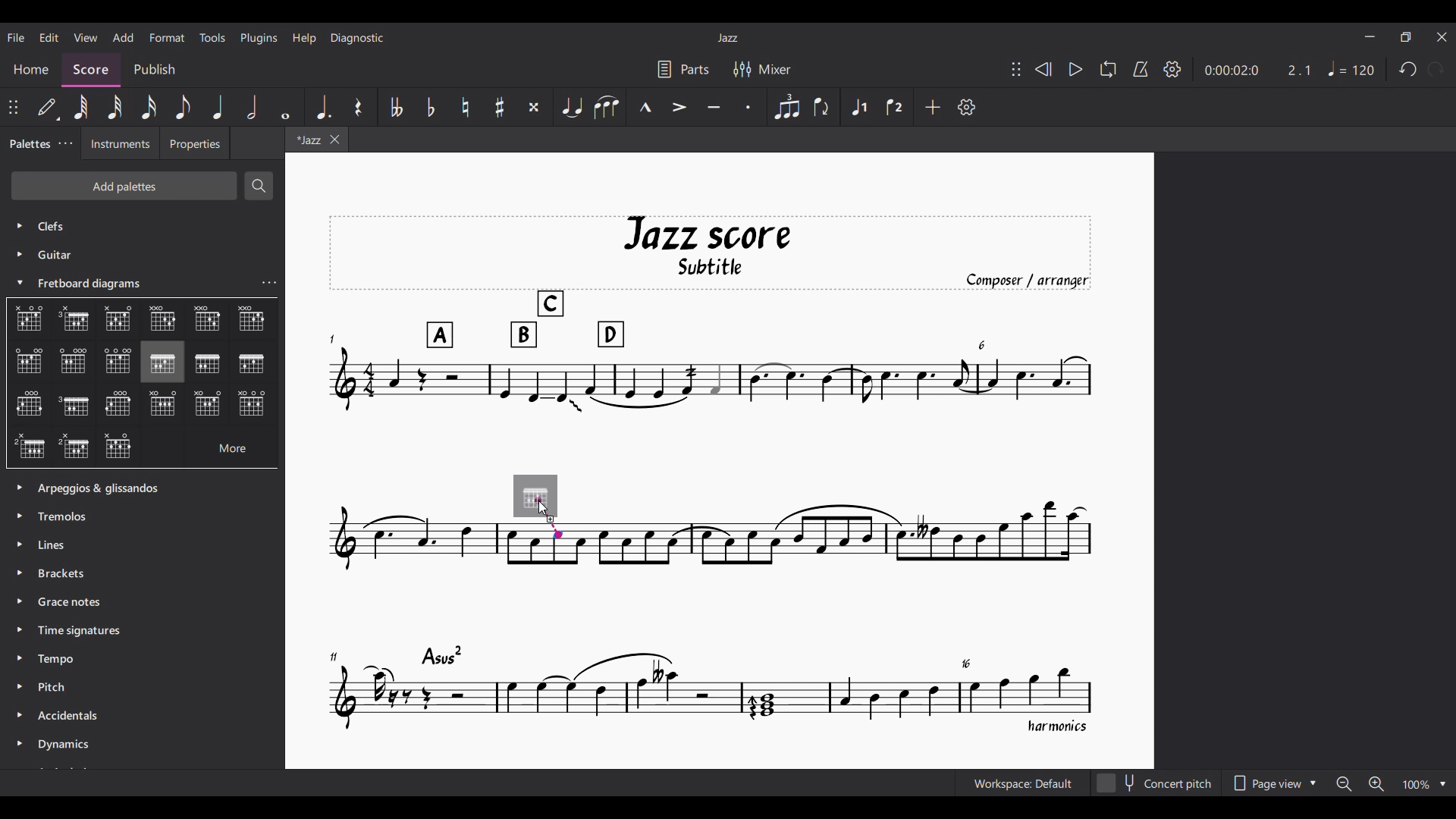 The height and width of the screenshot is (819, 1456). What do you see at coordinates (749, 107) in the screenshot?
I see `Staccato` at bounding box center [749, 107].